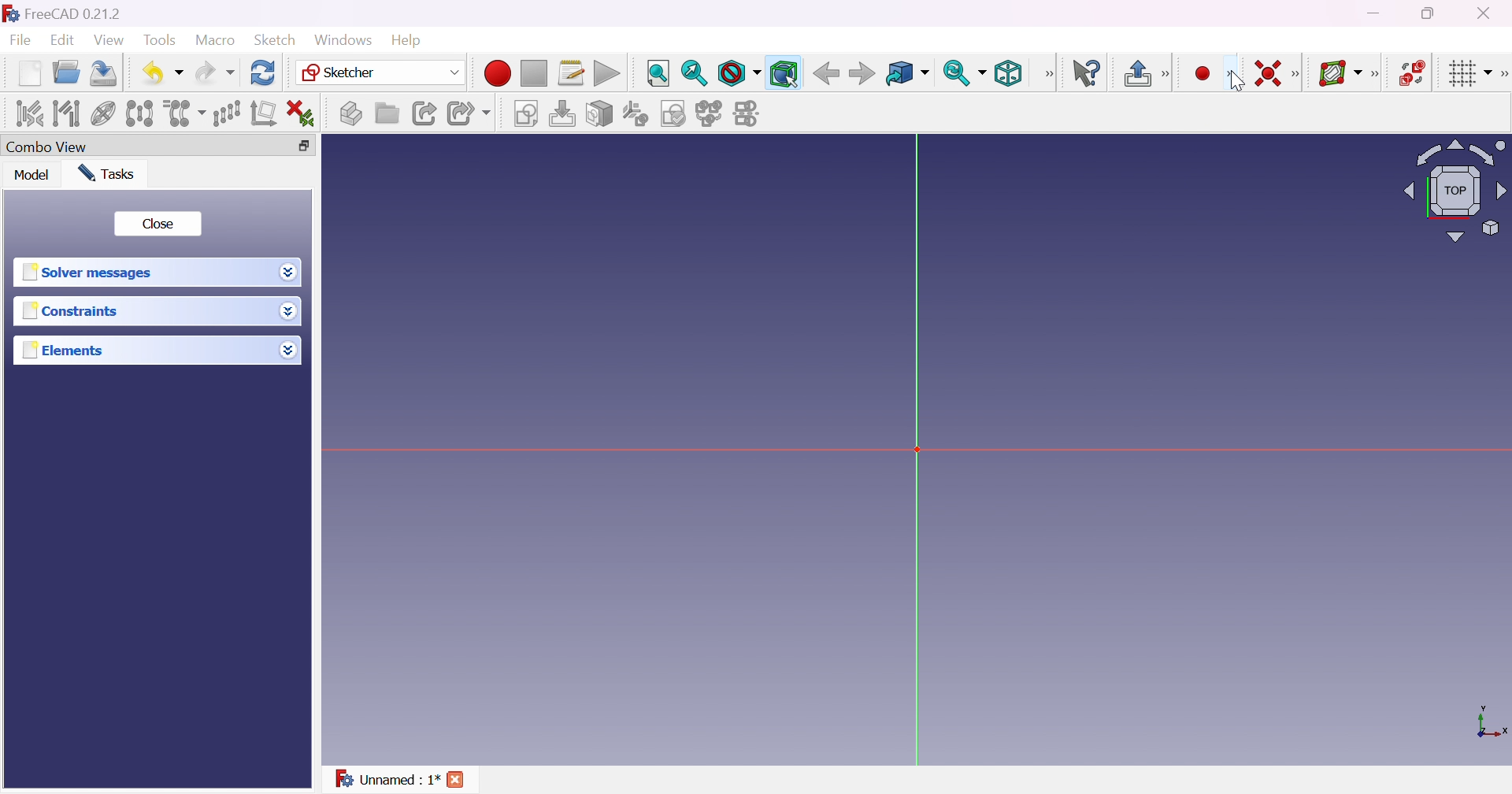  I want to click on Windows, so click(343, 40).